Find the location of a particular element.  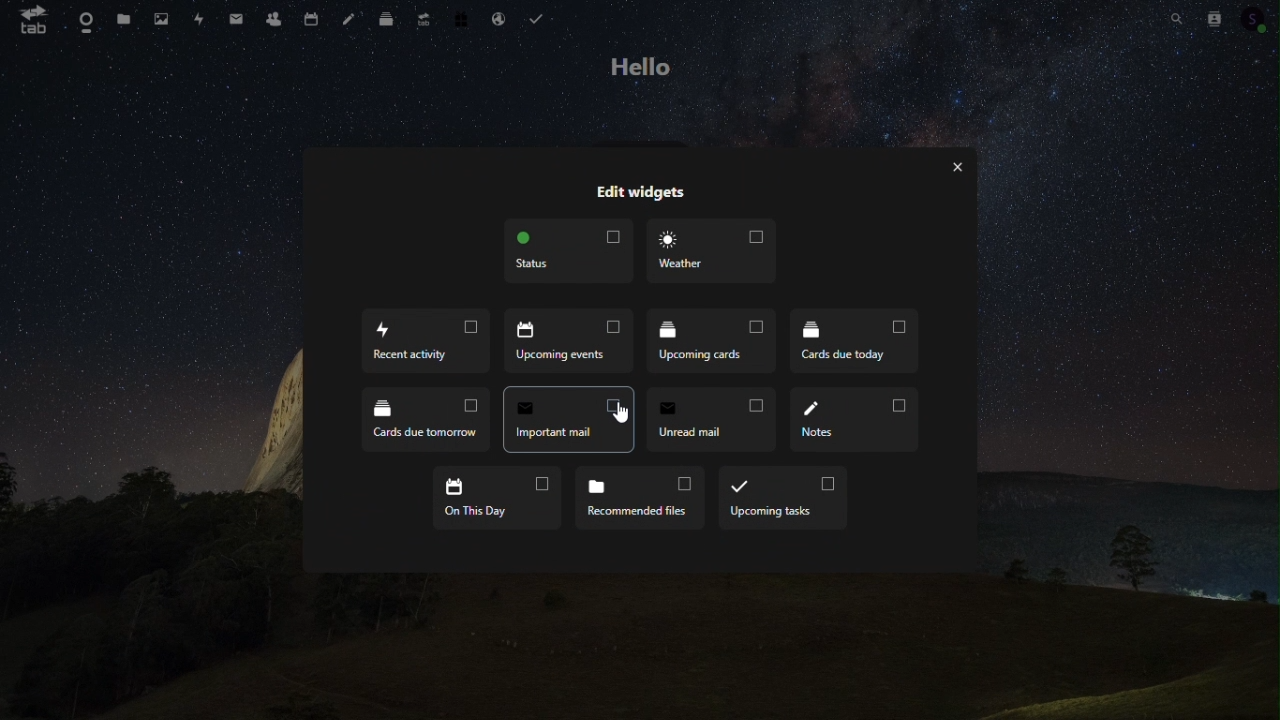

close is located at coordinates (961, 168).